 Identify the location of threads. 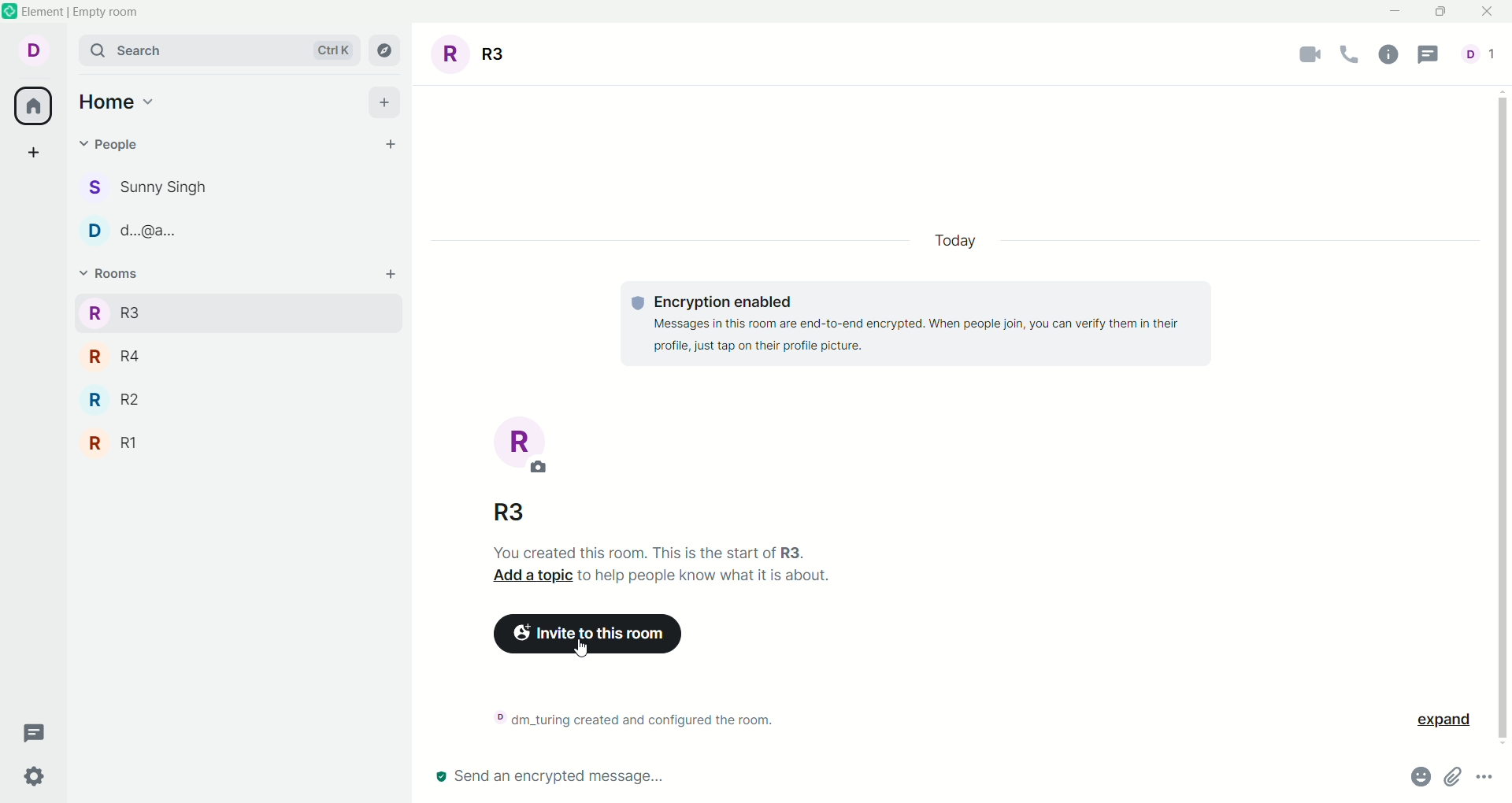
(35, 734).